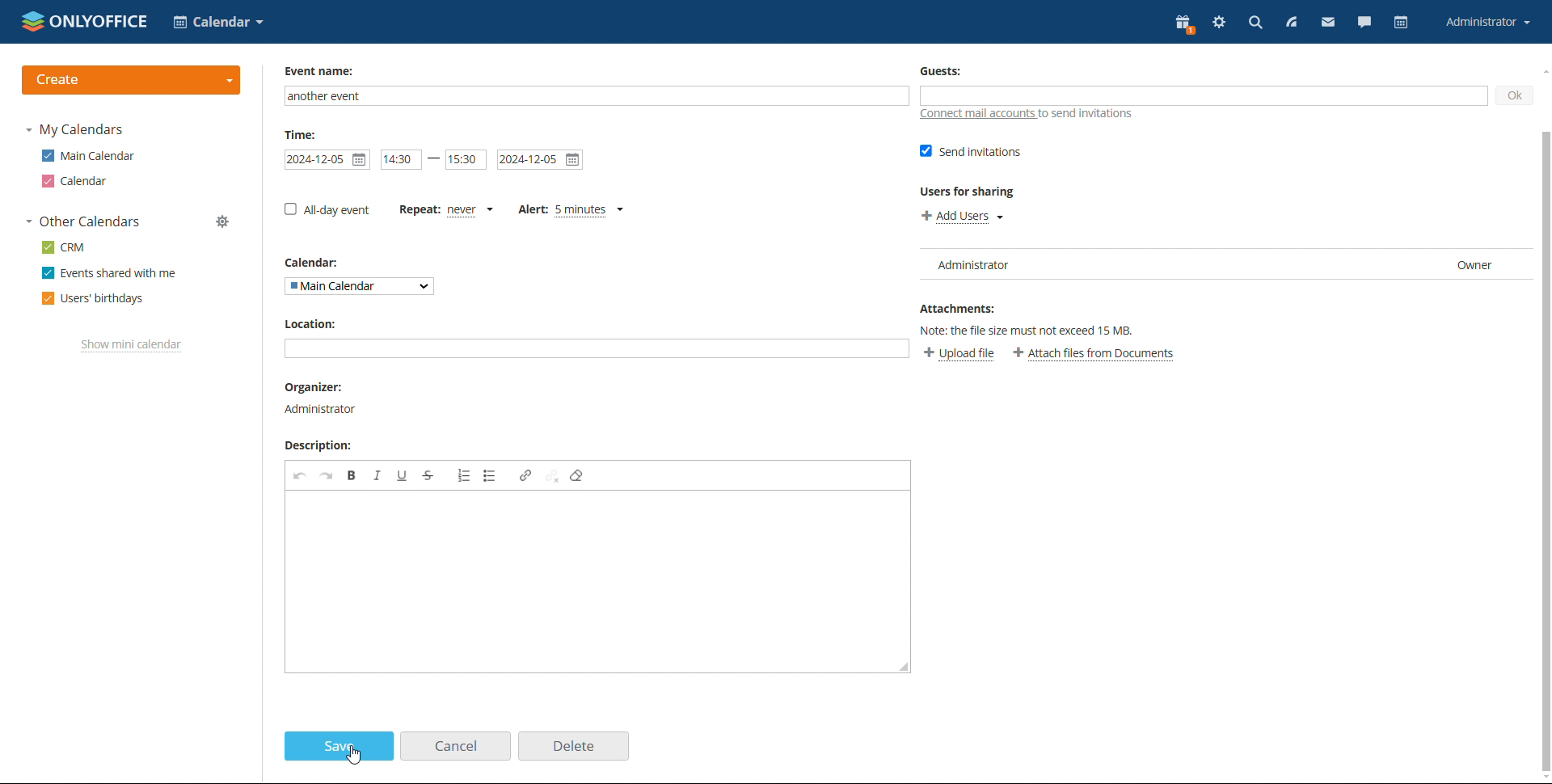 The width and height of the screenshot is (1552, 784). I want to click on save, so click(339, 747).